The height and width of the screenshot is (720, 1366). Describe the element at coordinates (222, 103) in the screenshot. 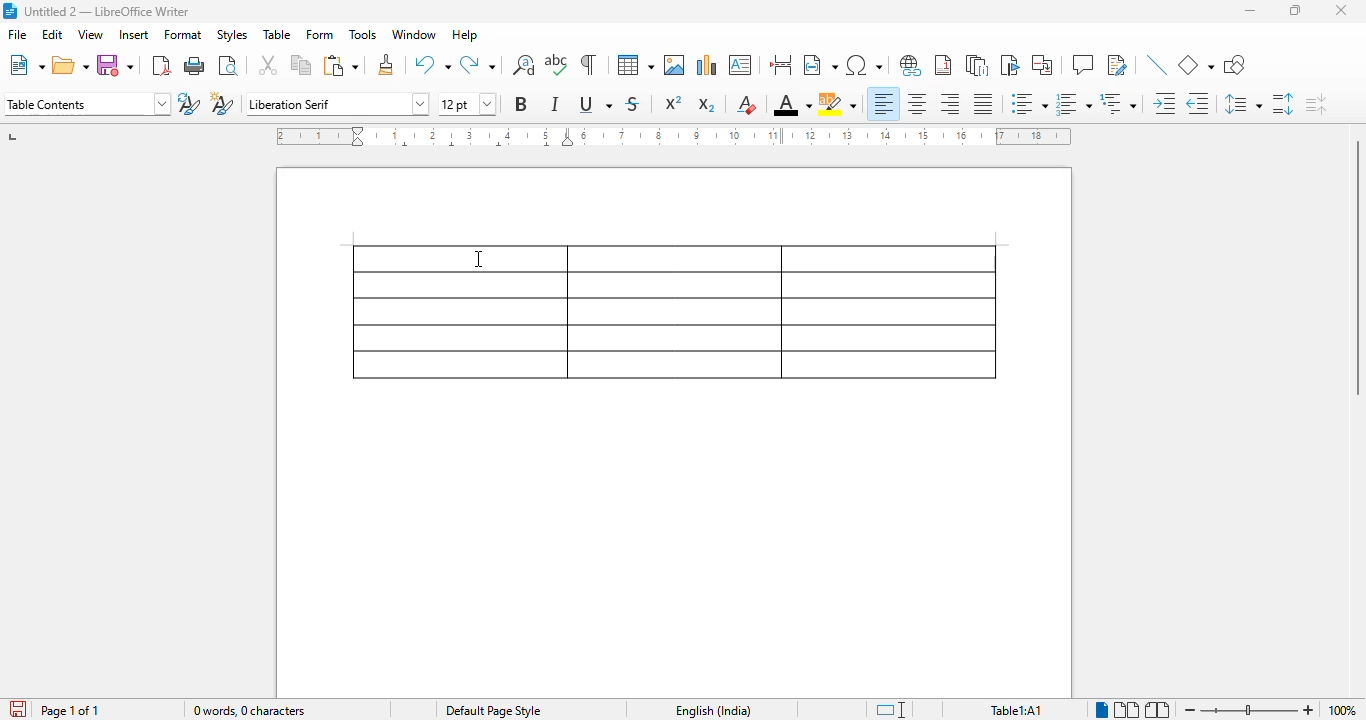

I see `new style from selection` at that location.